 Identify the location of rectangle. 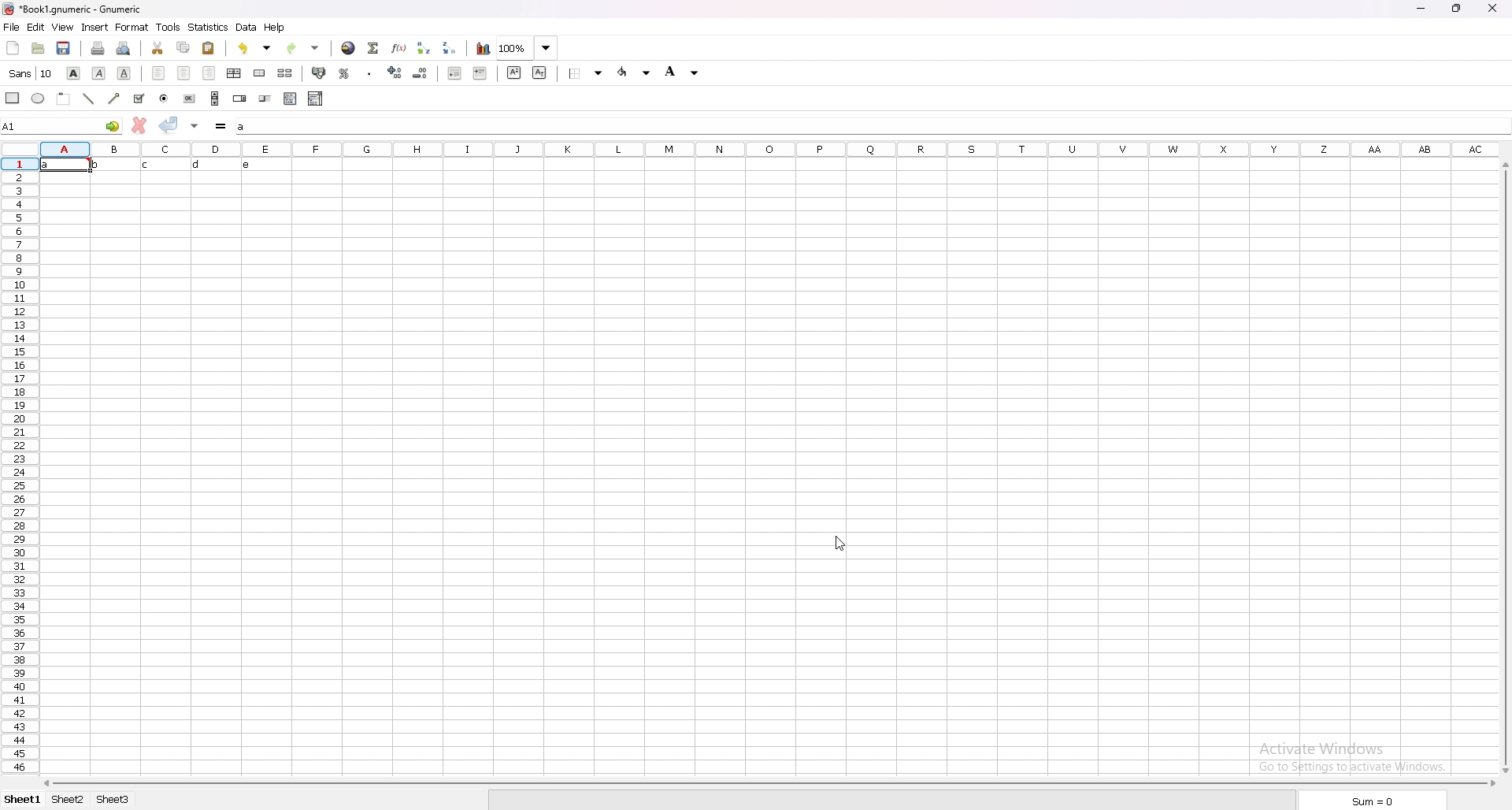
(13, 97).